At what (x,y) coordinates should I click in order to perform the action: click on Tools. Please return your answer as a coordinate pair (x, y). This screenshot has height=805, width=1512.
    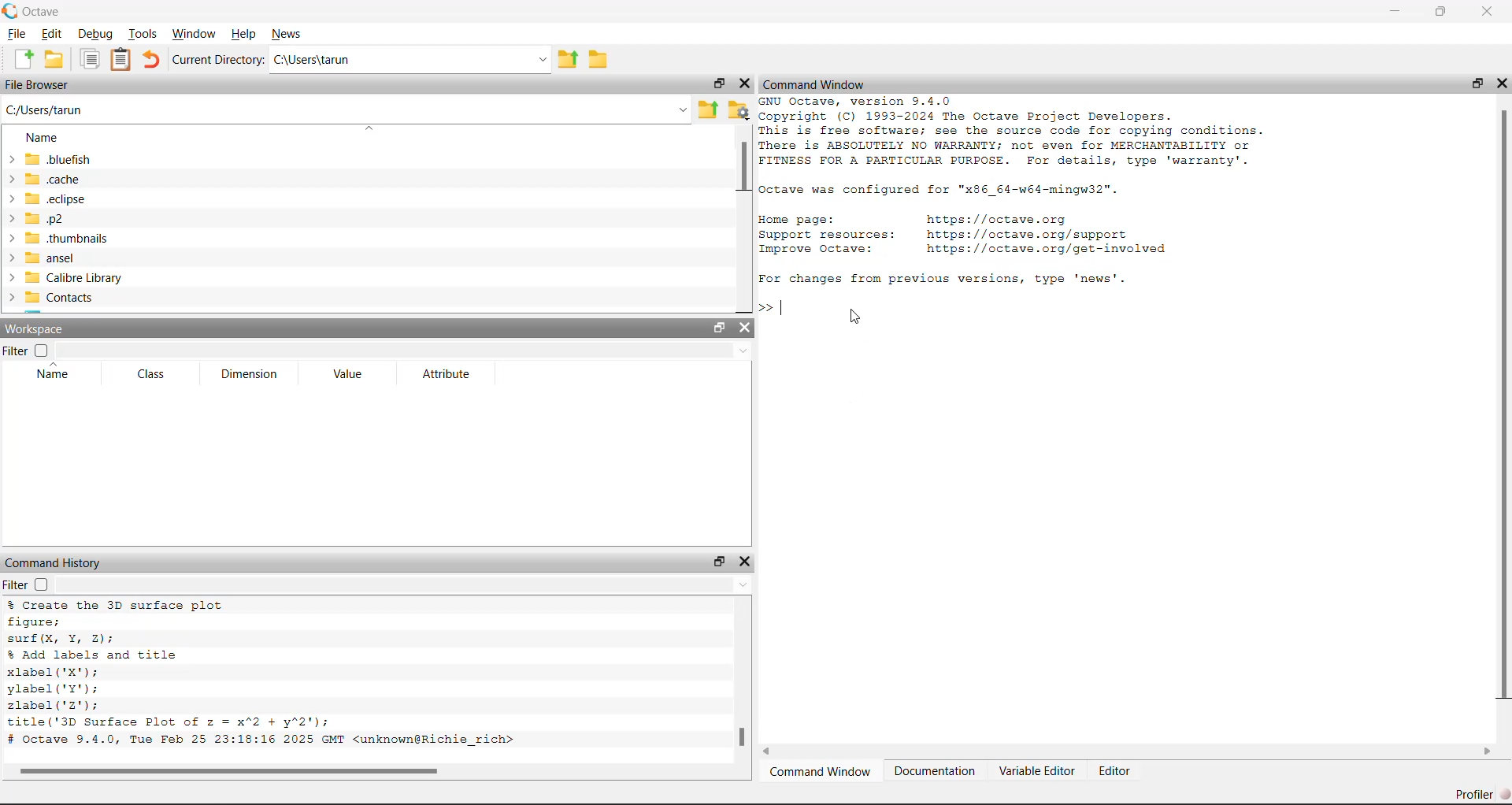
    Looking at the image, I should click on (146, 33).